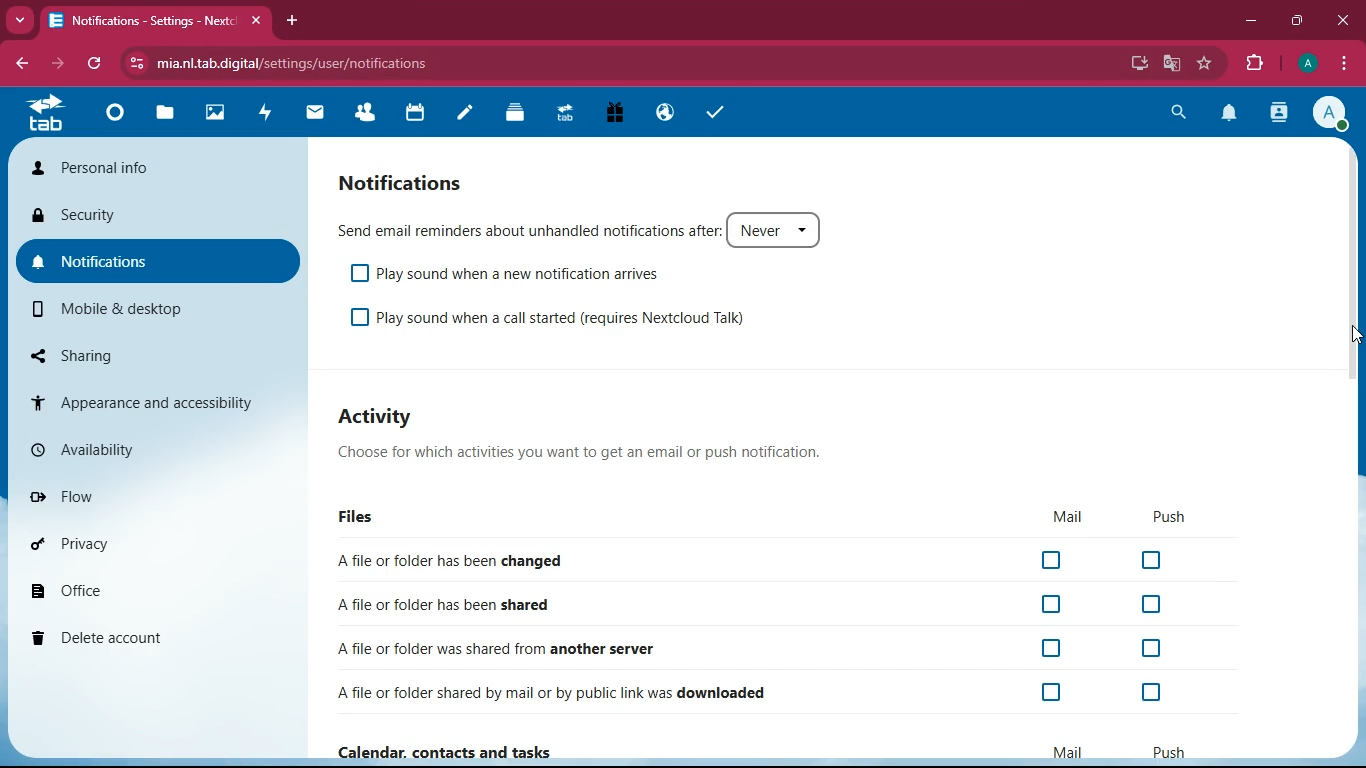  I want to click on maximize, so click(1297, 21).